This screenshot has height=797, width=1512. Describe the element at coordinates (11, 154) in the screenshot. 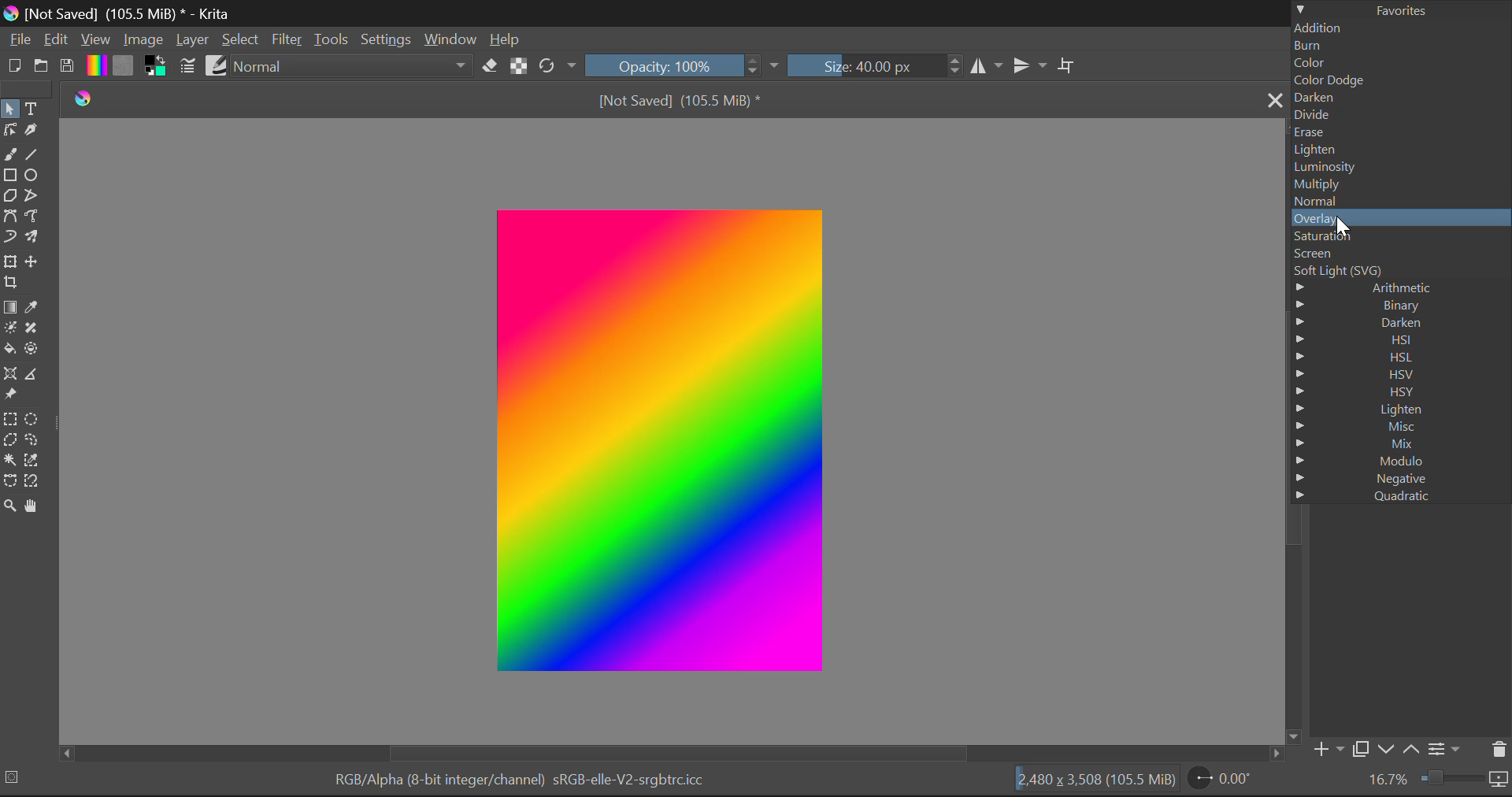

I see `Freehand` at that location.